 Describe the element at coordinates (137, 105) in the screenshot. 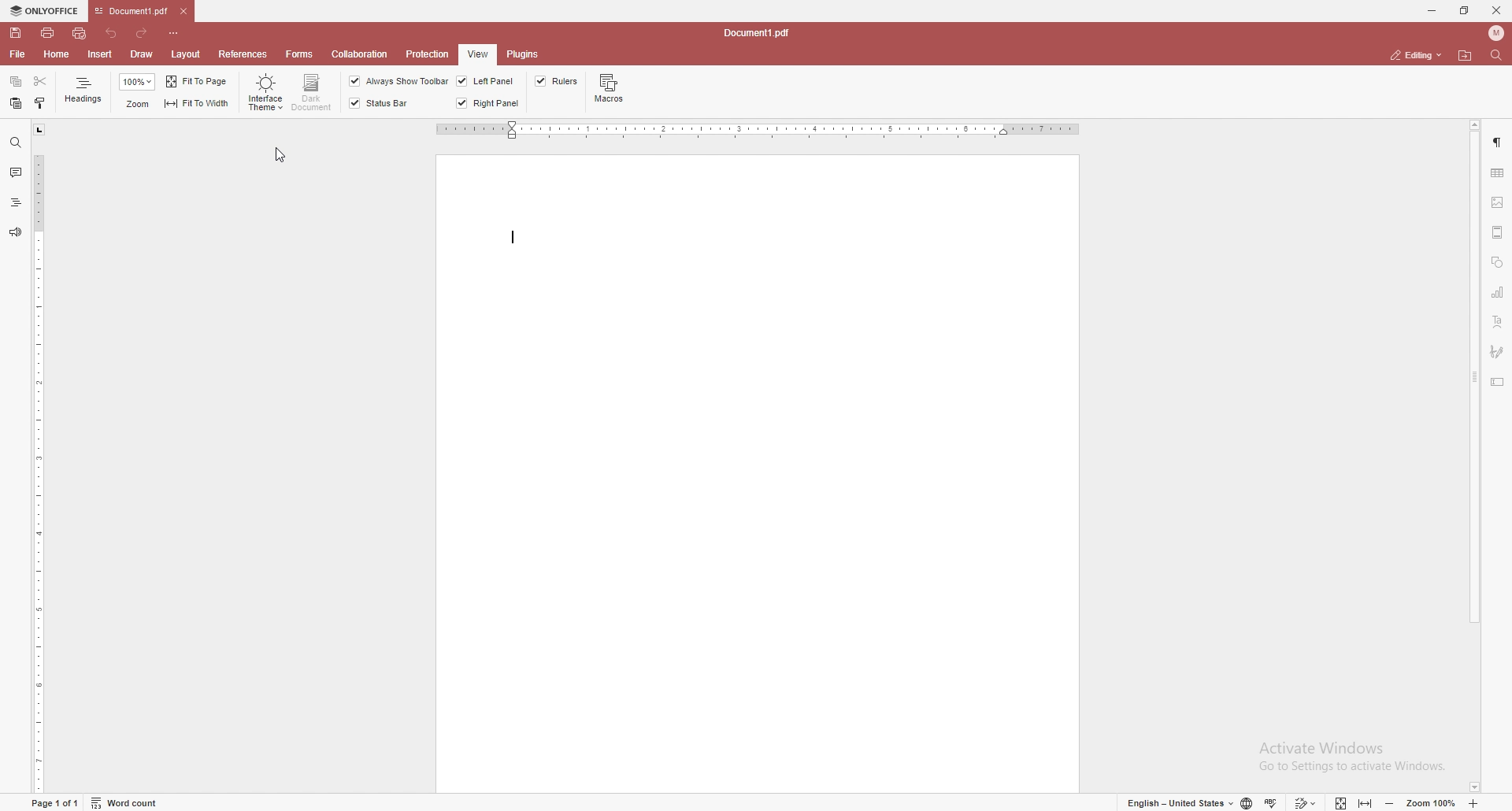

I see `zoom` at that location.